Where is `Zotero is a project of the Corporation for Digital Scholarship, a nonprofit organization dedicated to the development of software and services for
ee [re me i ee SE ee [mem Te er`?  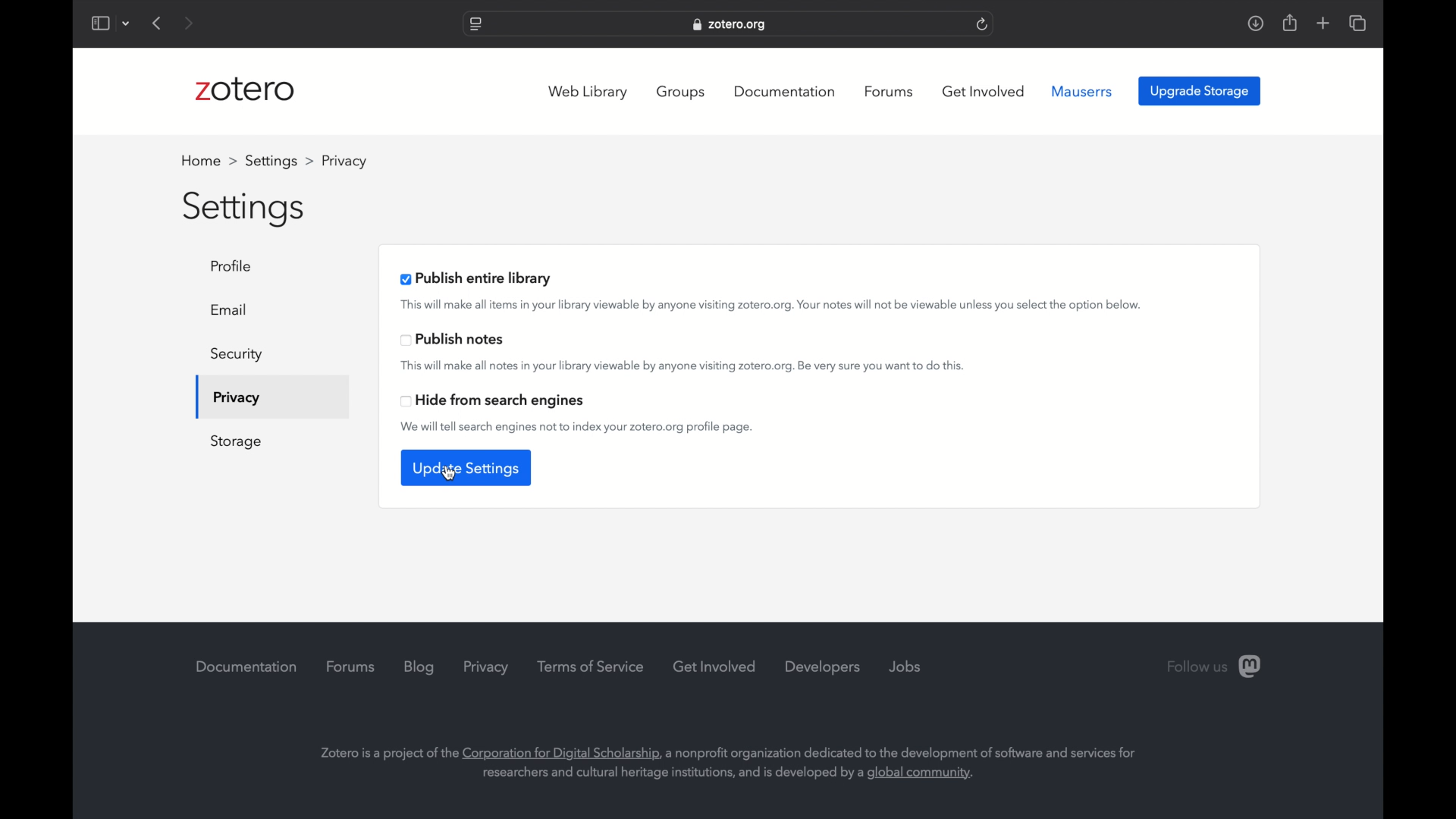
Zotero is a project of the Corporation for Digital Scholarship, a nonprofit organization dedicated to the development of software and services for
ee [re me i ee SE ee [mem Te er is located at coordinates (720, 756).